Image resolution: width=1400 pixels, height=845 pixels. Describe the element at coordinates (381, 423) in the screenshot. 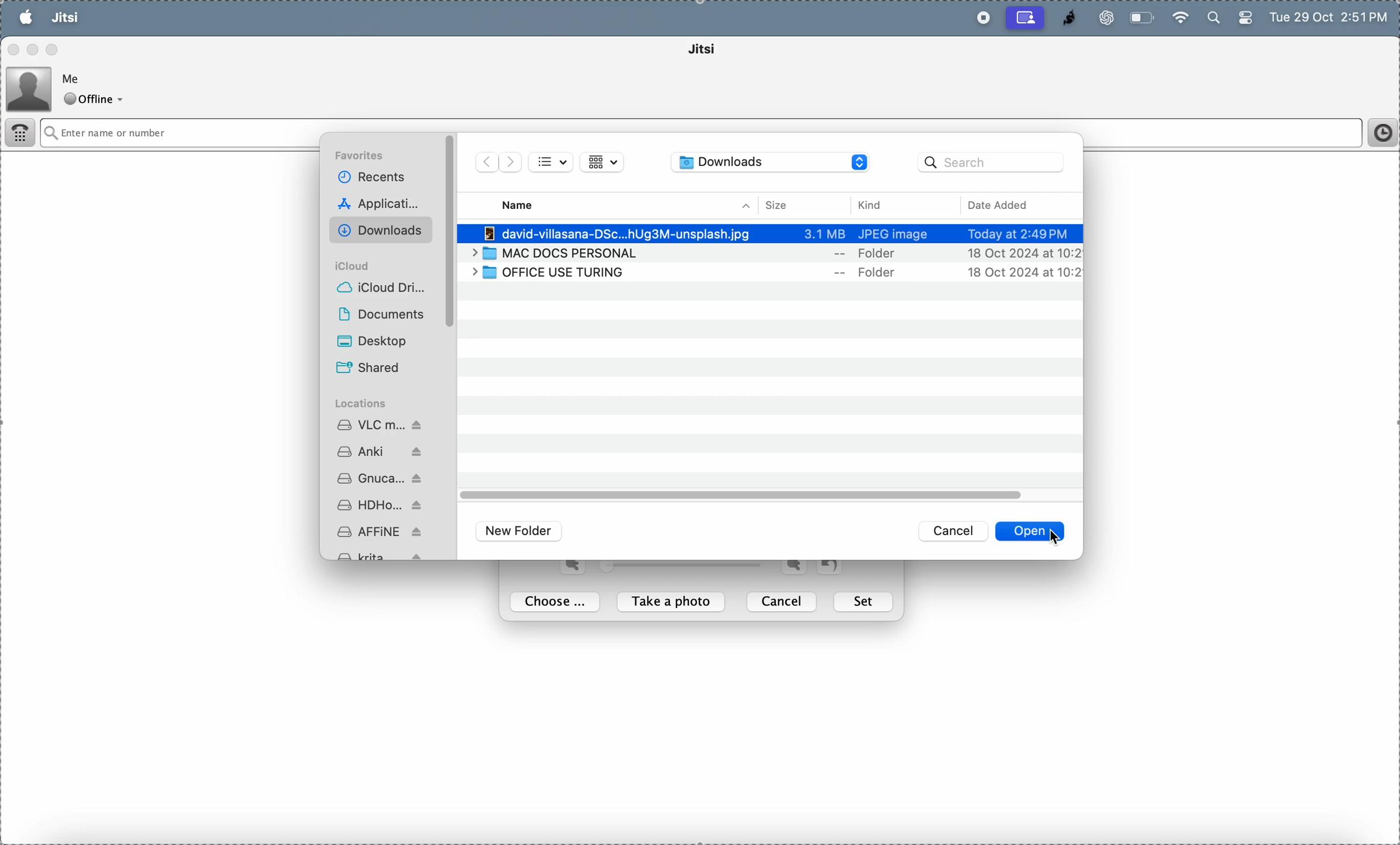

I see `vlc media` at that location.